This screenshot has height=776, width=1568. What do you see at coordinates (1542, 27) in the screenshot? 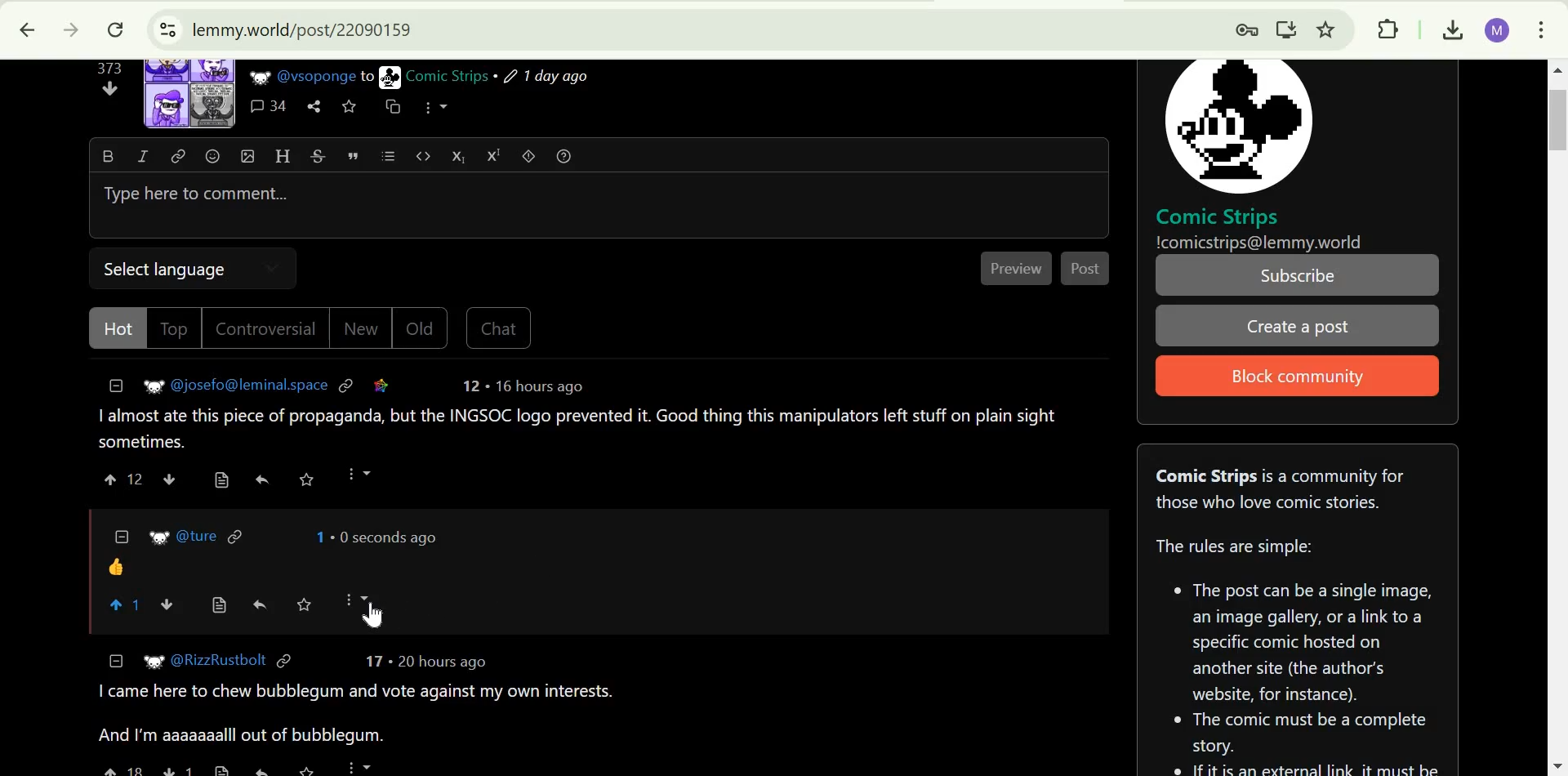
I see `customize and control google chrome` at bounding box center [1542, 27].